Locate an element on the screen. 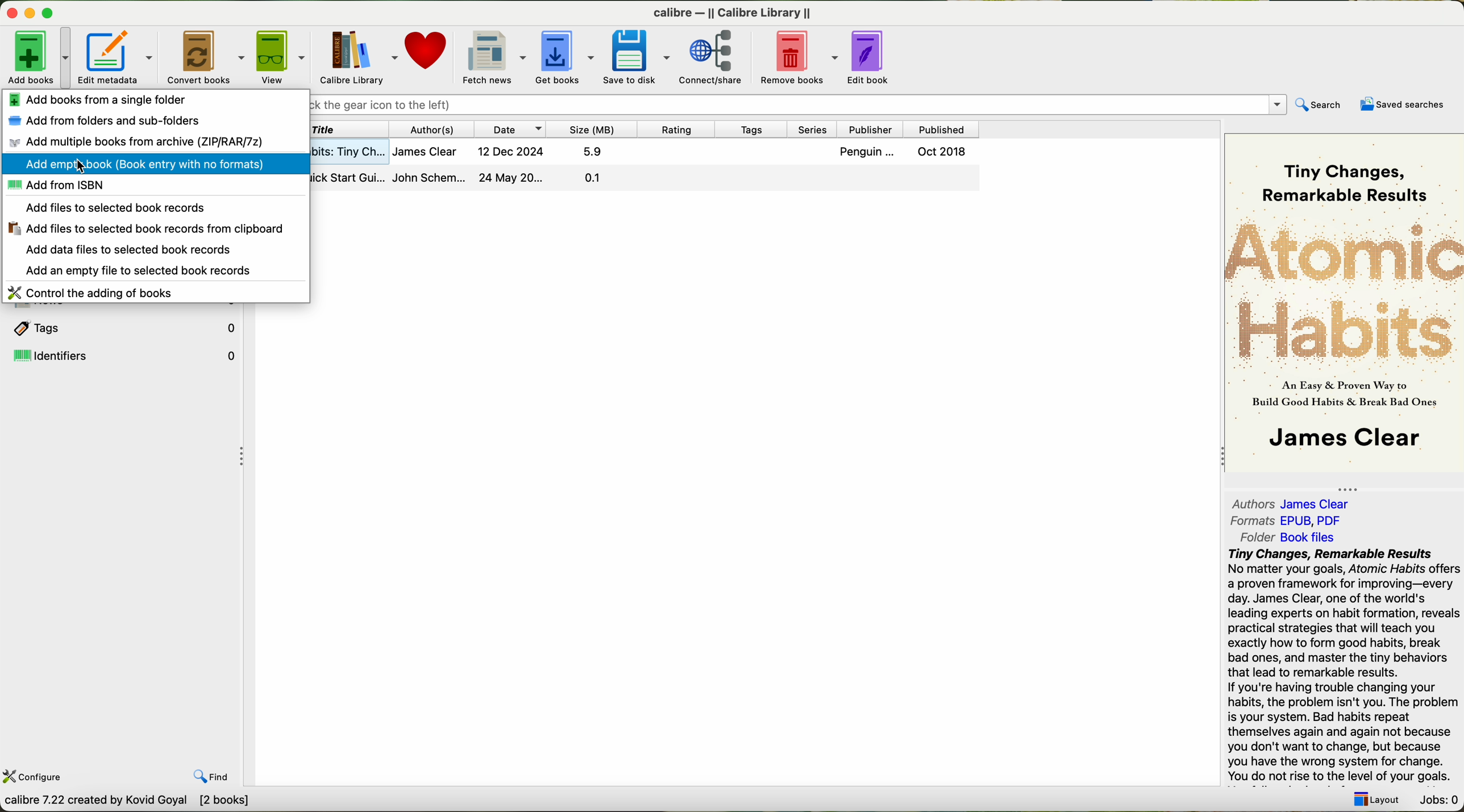 Image resolution: width=1464 pixels, height=812 pixels. add an empty file to selected book records is located at coordinates (139, 271).